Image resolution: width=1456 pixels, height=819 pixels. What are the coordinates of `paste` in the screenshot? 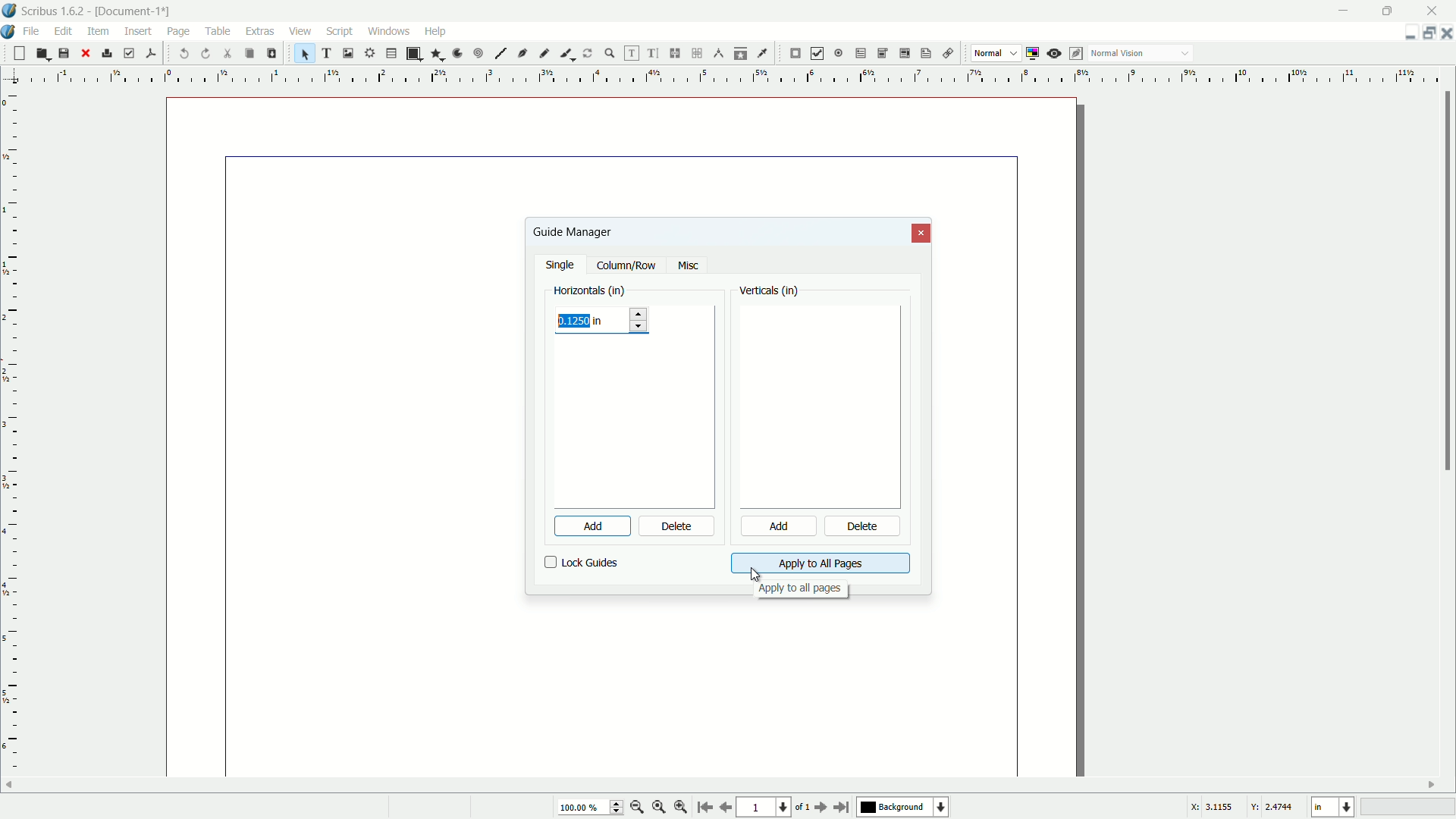 It's located at (271, 53).